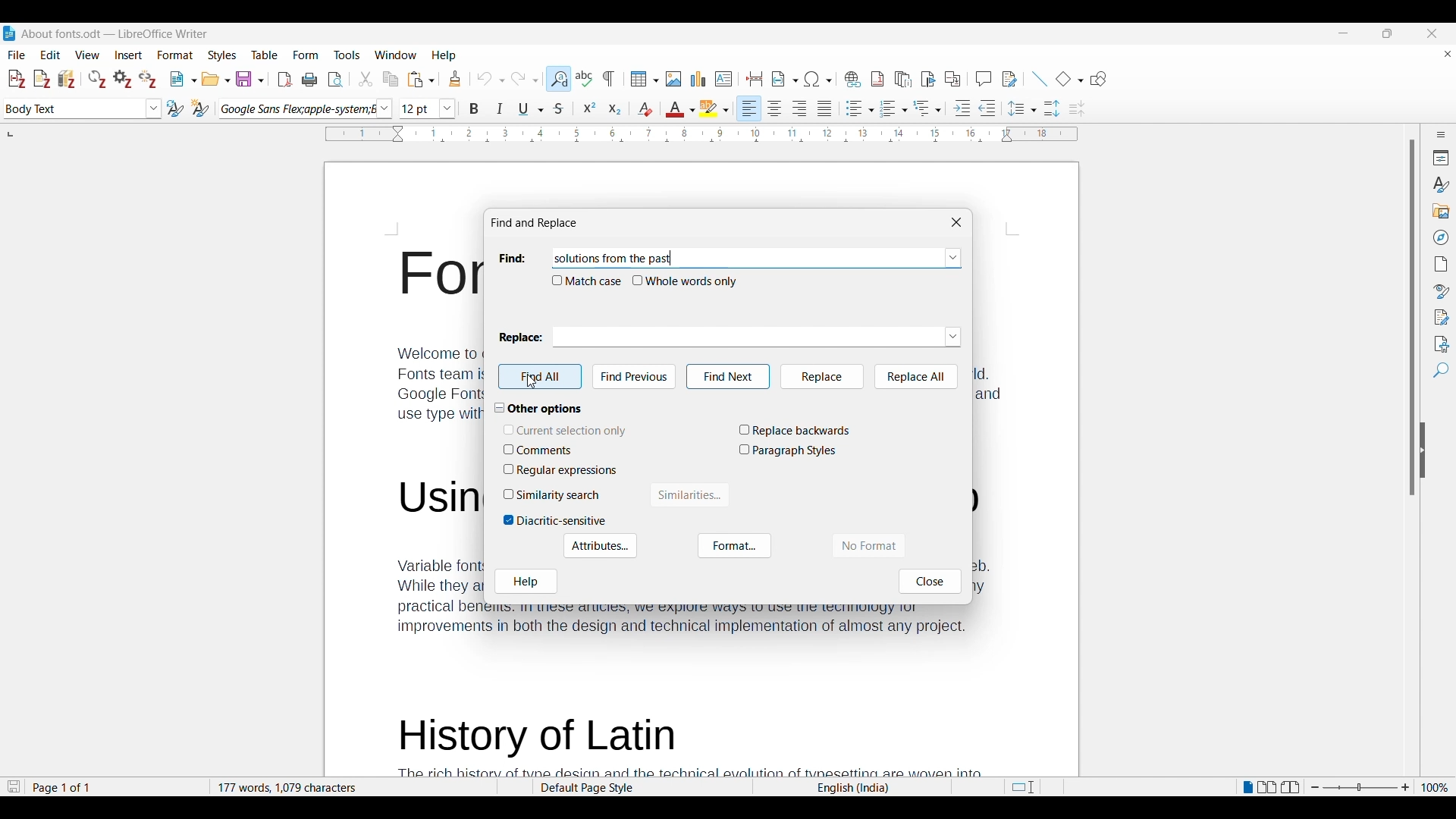 This screenshot has height=819, width=1456. I want to click on Insert text box, so click(724, 79).